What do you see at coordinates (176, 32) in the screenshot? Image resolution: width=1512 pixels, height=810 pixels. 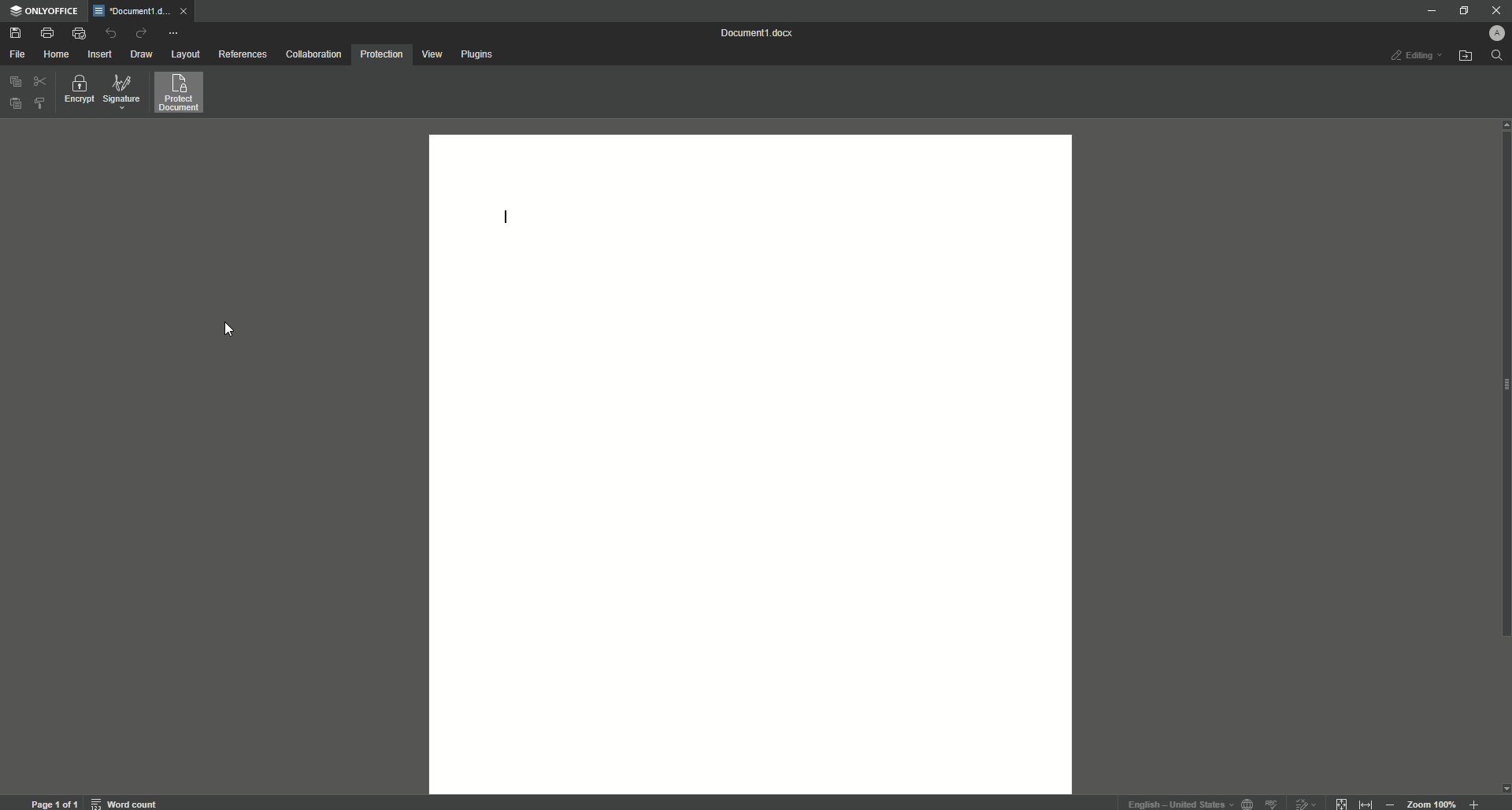 I see `More actions` at bounding box center [176, 32].